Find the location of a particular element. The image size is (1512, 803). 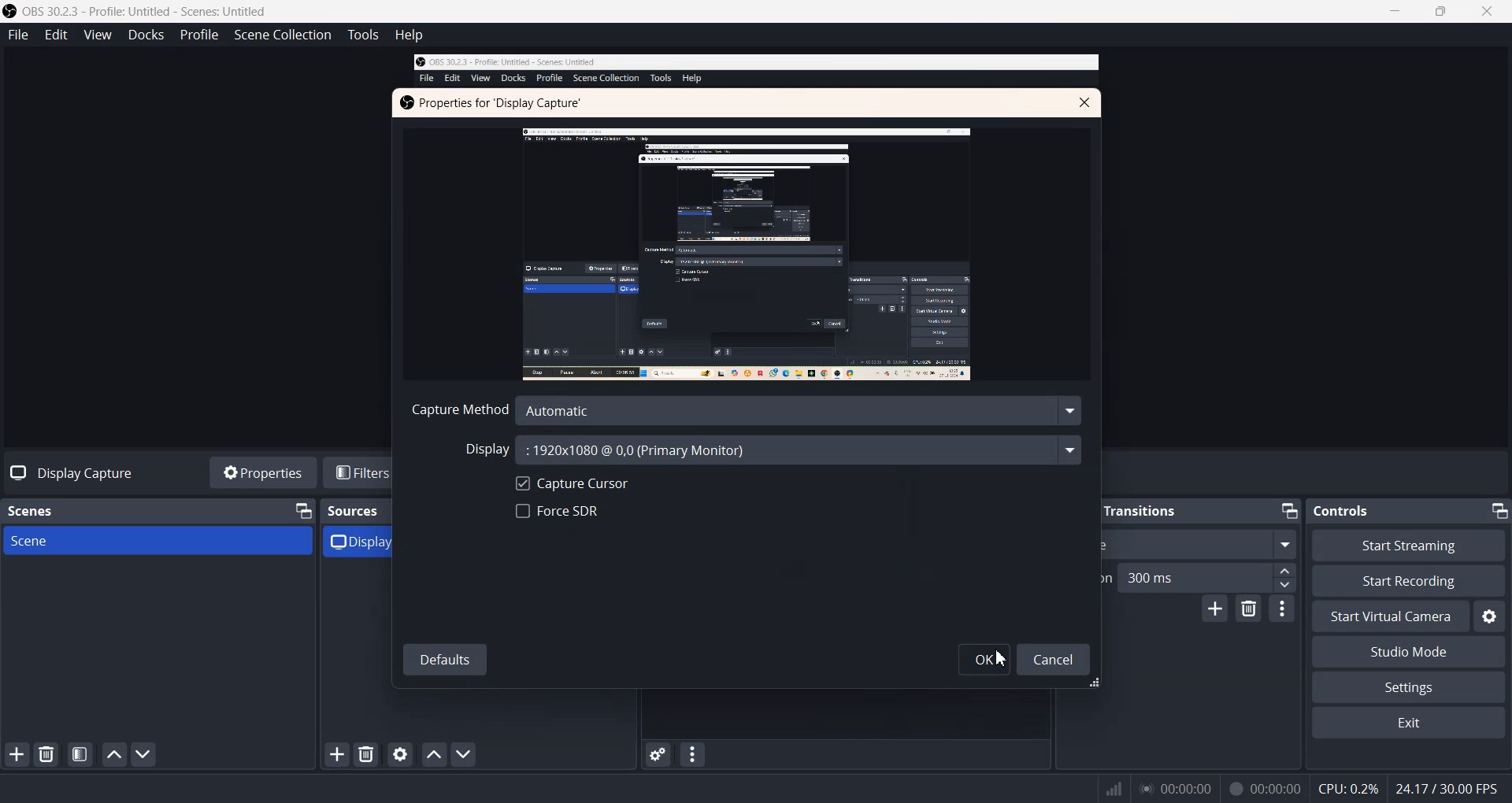

30.00/30.000 FPS is located at coordinates (1444, 788).